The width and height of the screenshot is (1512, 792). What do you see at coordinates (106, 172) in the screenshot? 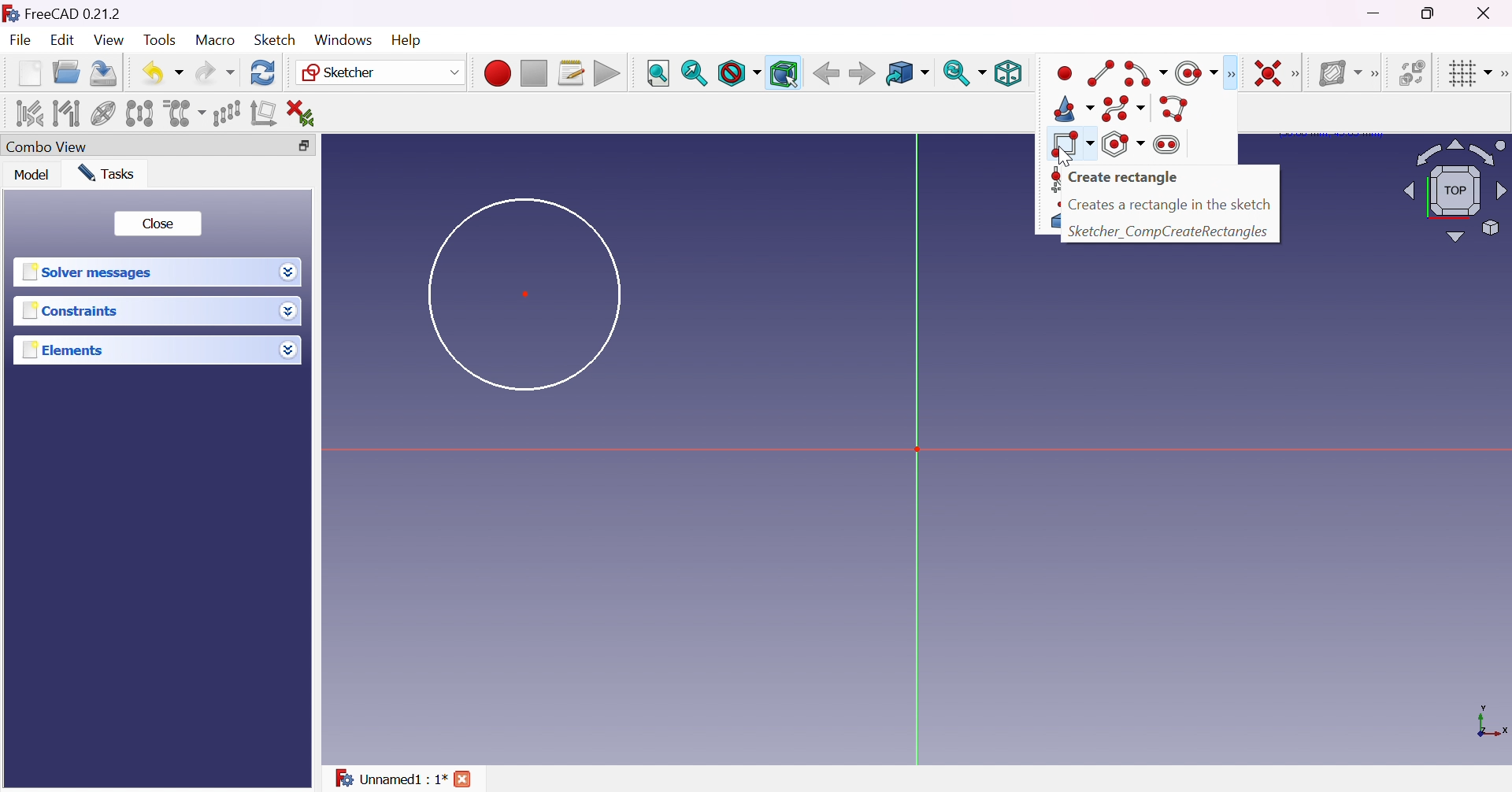
I see `Tasks` at bounding box center [106, 172].